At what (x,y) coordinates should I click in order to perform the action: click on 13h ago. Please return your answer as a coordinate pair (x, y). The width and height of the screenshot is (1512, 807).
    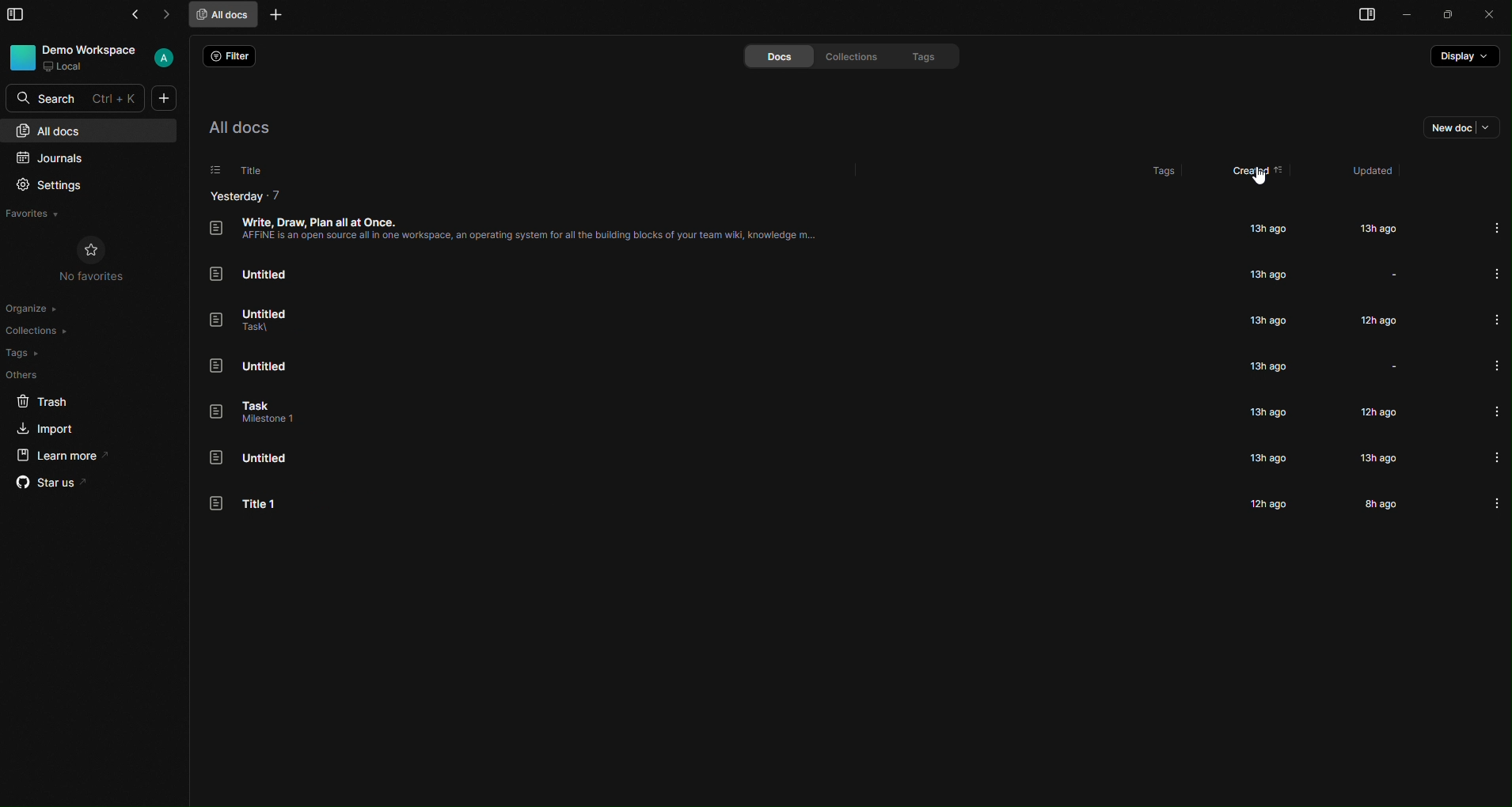
    Looking at the image, I should click on (1265, 367).